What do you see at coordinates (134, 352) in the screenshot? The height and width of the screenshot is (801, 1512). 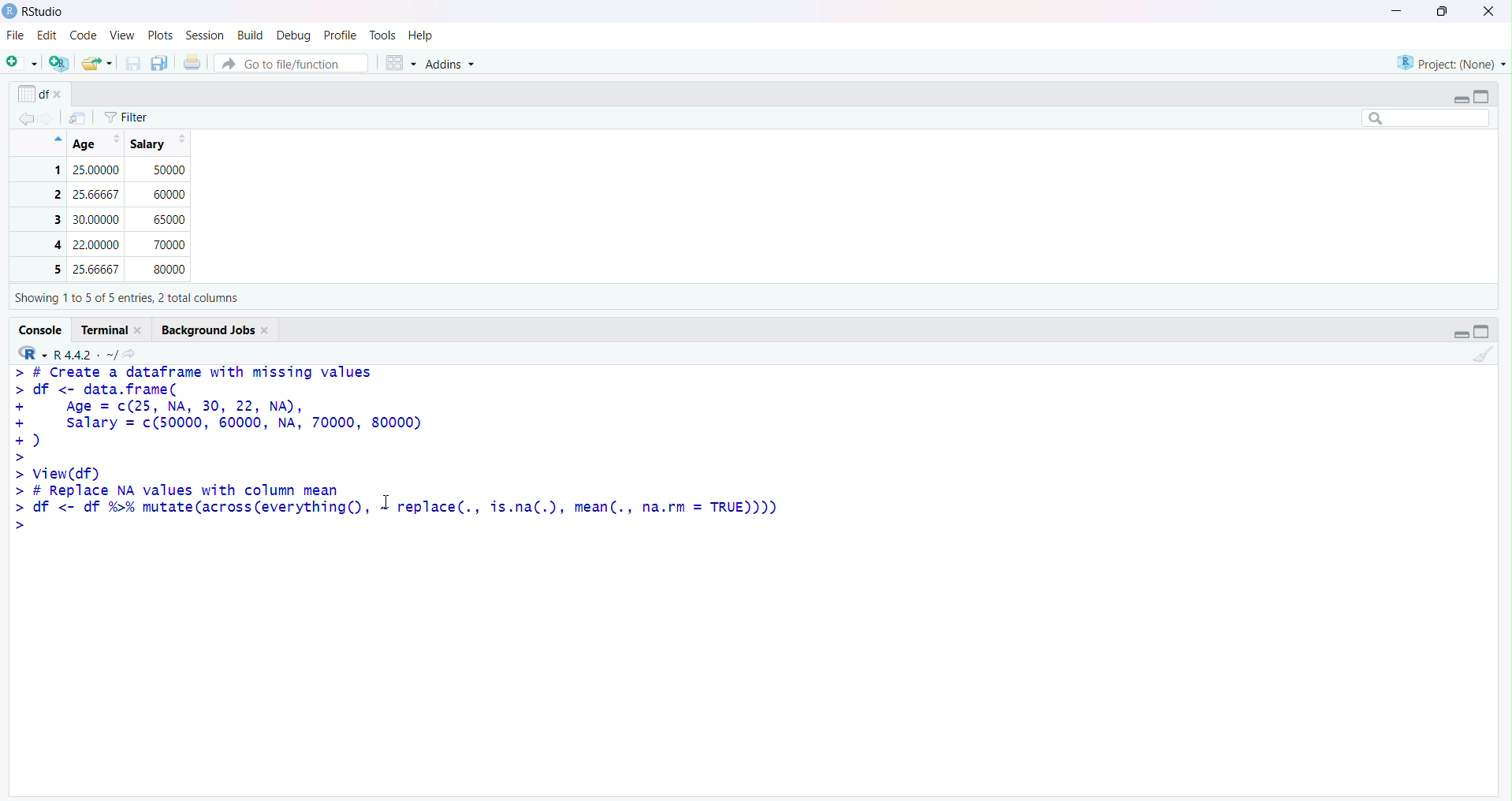 I see `View the current working directory` at bounding box center [134, 352].